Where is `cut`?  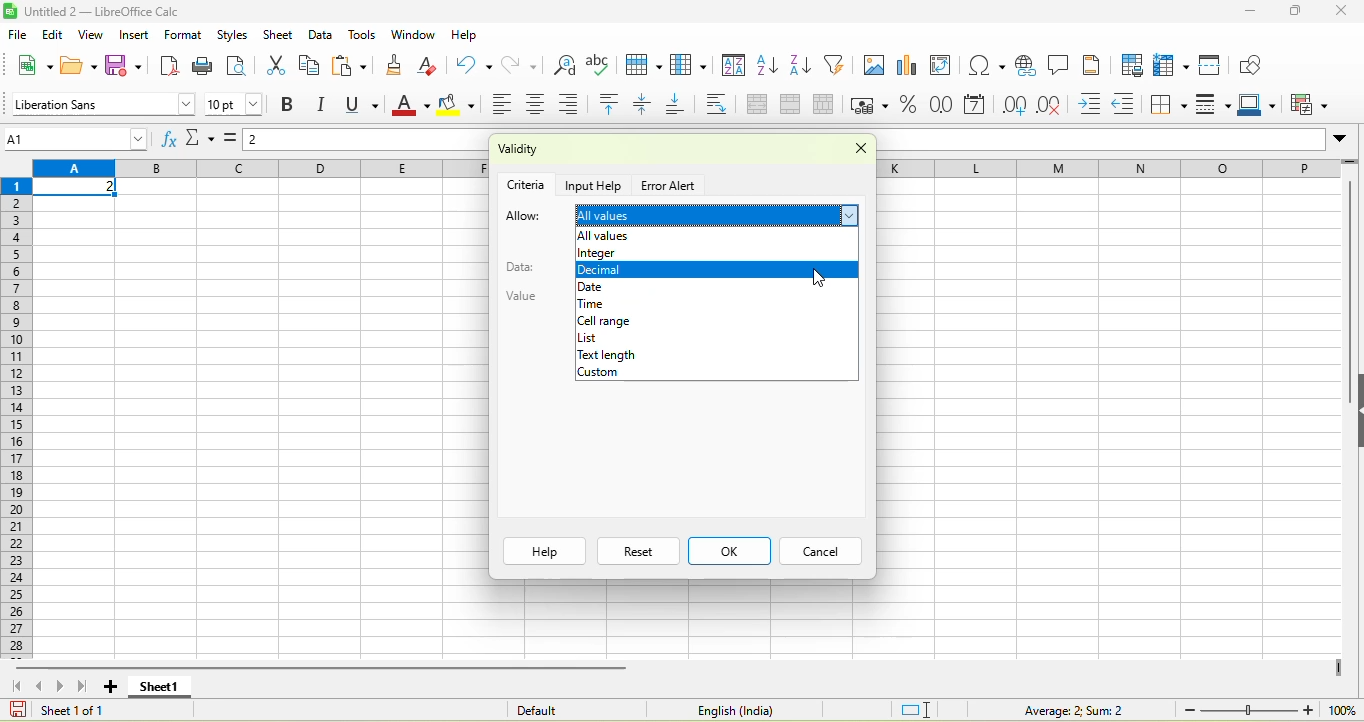
cut is located at coordinates (273, 67).